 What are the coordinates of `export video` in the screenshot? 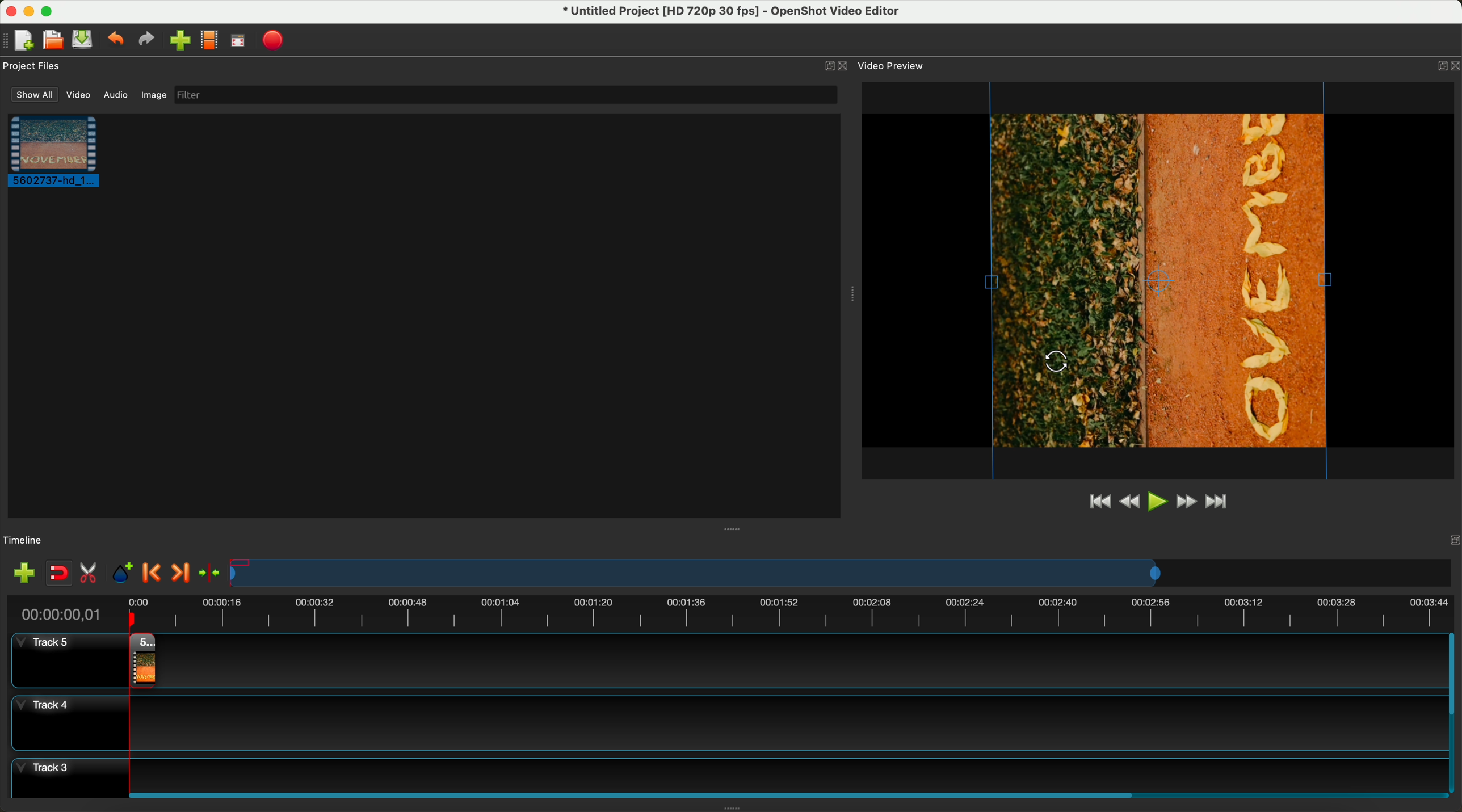 It's located at (274, 40).